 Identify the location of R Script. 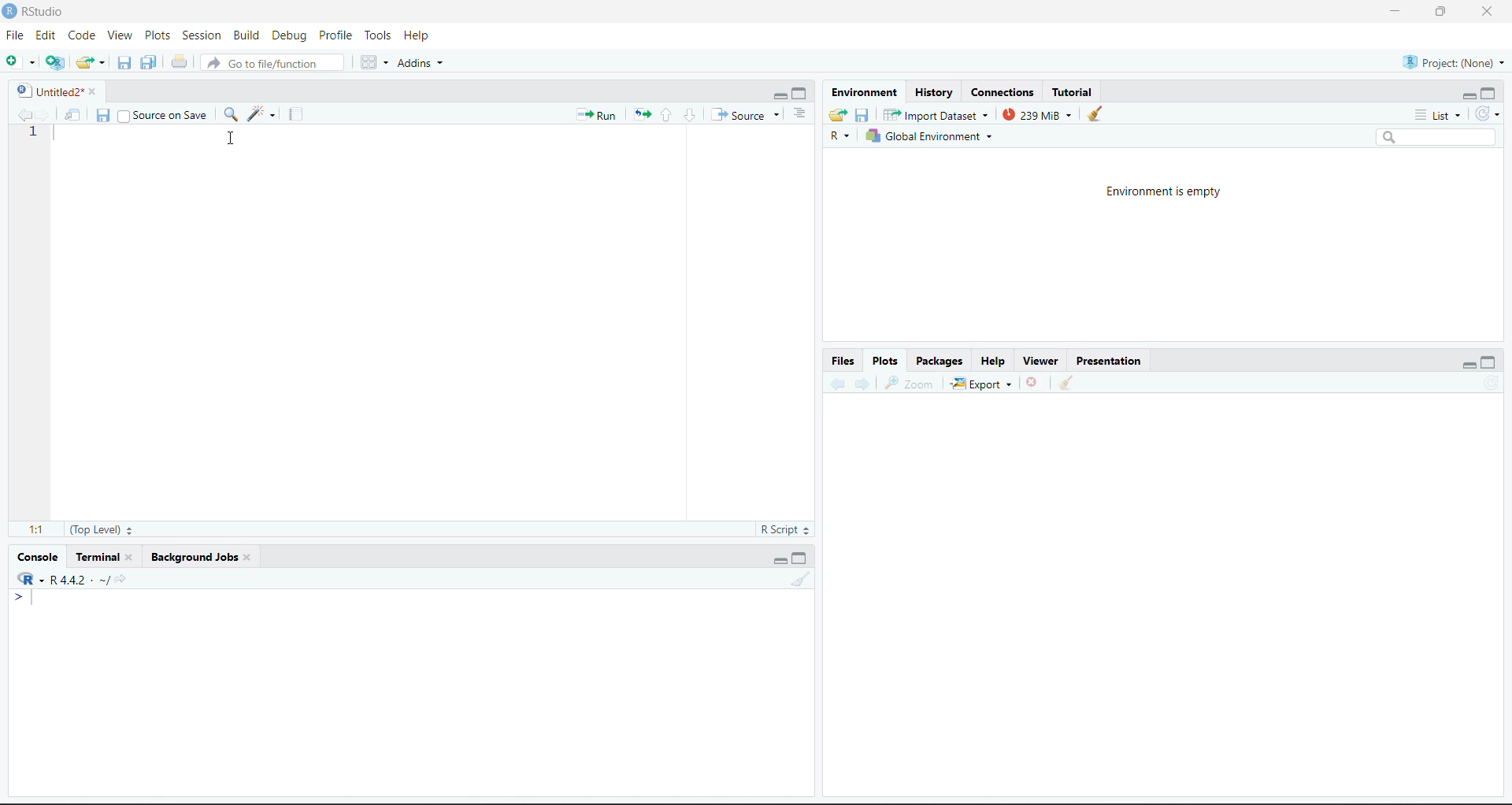
(785, 530).